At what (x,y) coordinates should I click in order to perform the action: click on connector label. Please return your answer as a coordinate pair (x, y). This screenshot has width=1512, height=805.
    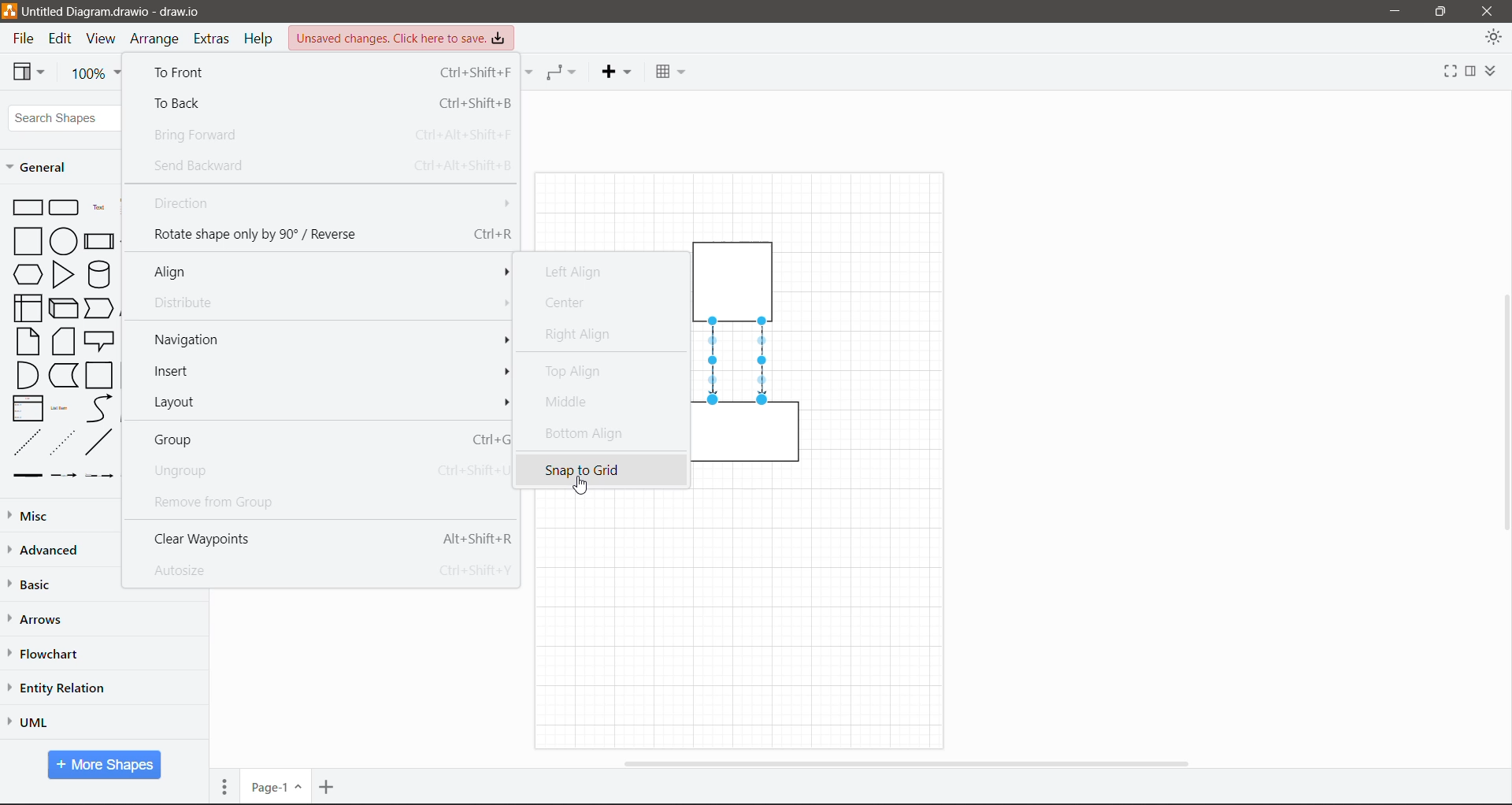
    Looking at the image, I should click on (64, 475).